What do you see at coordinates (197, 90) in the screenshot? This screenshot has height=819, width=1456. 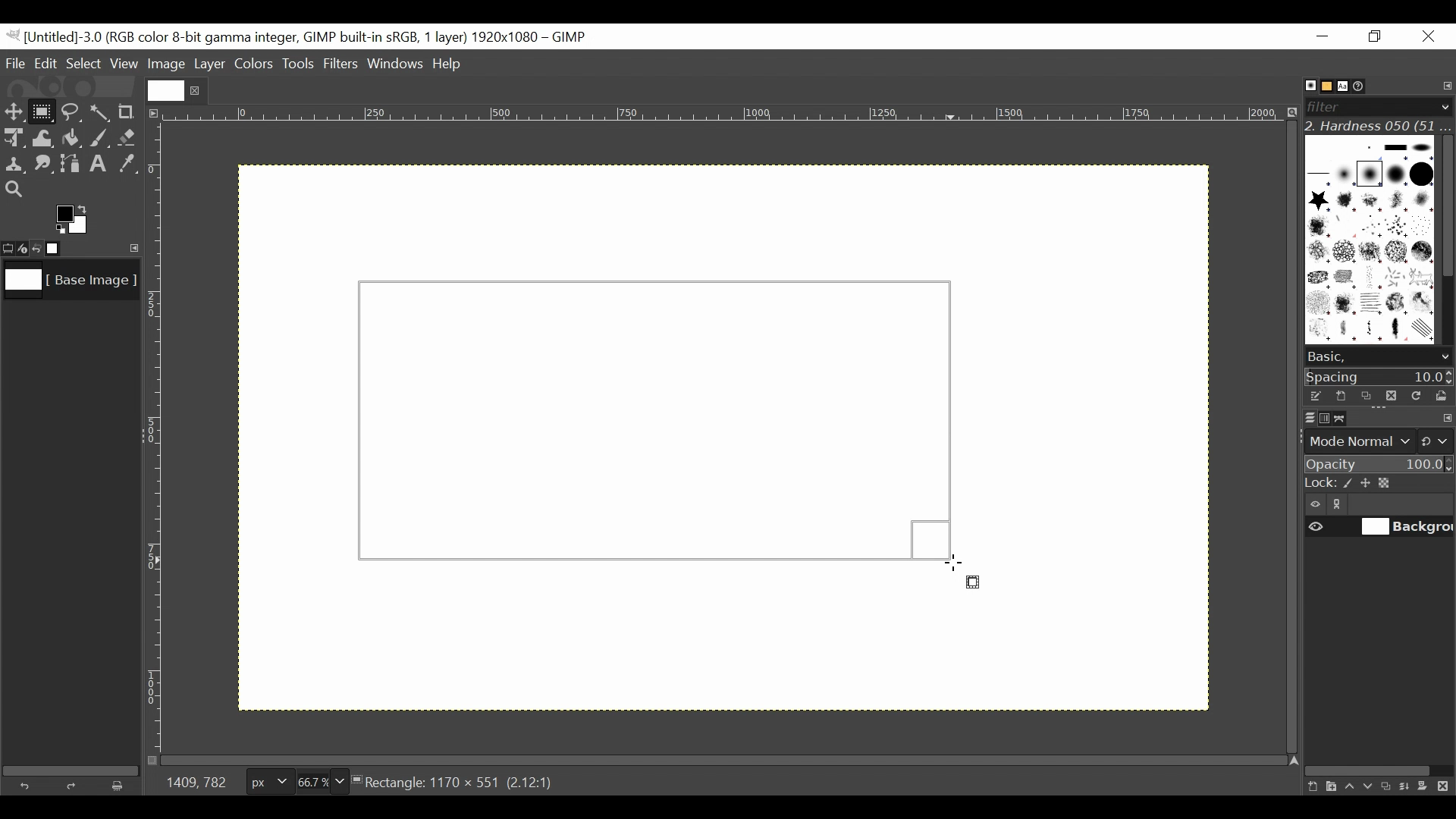 I see `close` at bounding box center [197, 90].